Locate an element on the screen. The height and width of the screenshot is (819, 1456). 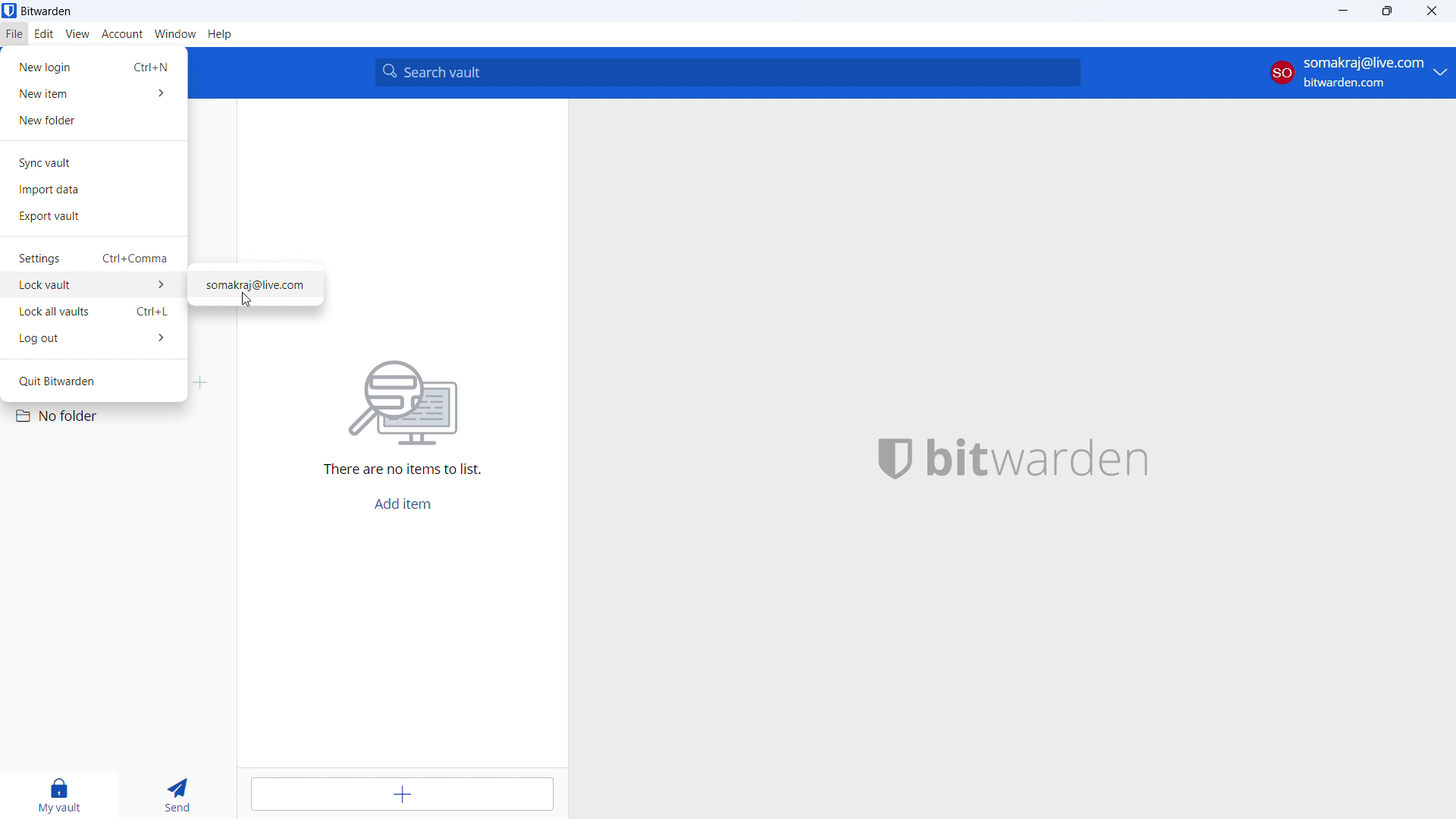
title is located at coordinates (47, 11).